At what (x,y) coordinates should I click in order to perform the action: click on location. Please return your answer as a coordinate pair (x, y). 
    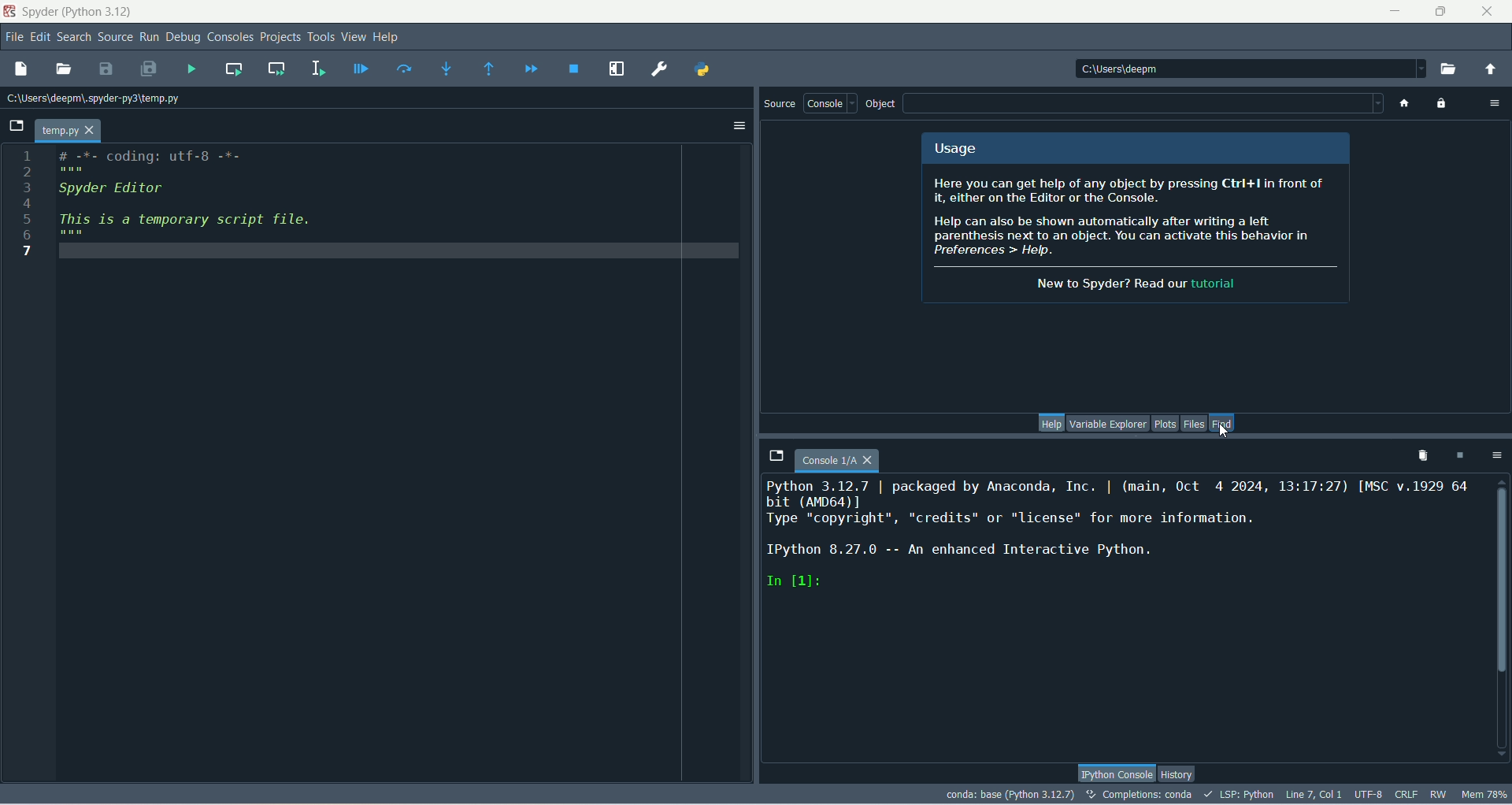
    Looking at the image, I should click on (97, 98).